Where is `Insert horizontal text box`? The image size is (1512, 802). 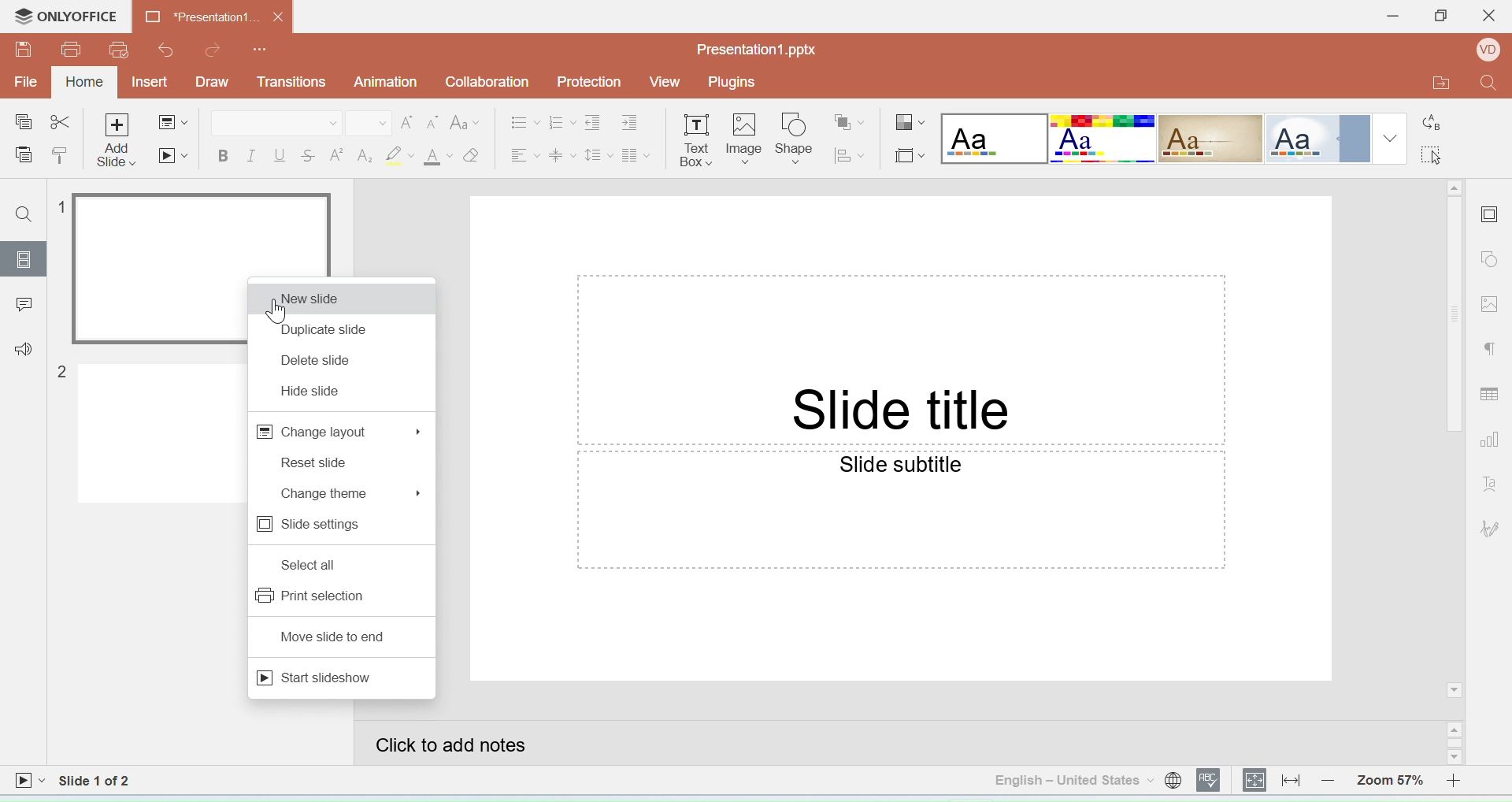
Insert horizontal text box is located at coordinates (695, 139).